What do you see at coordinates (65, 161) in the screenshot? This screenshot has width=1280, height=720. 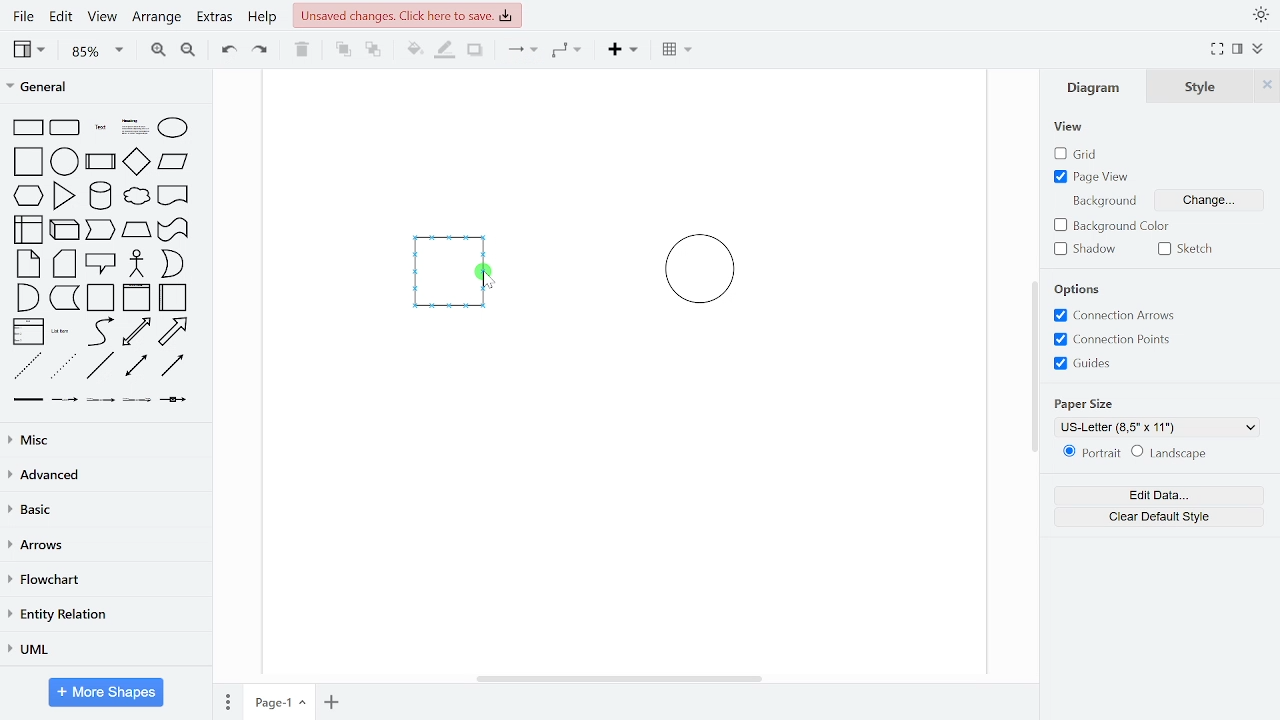 I see `circle` at bounding box center [65, 161].